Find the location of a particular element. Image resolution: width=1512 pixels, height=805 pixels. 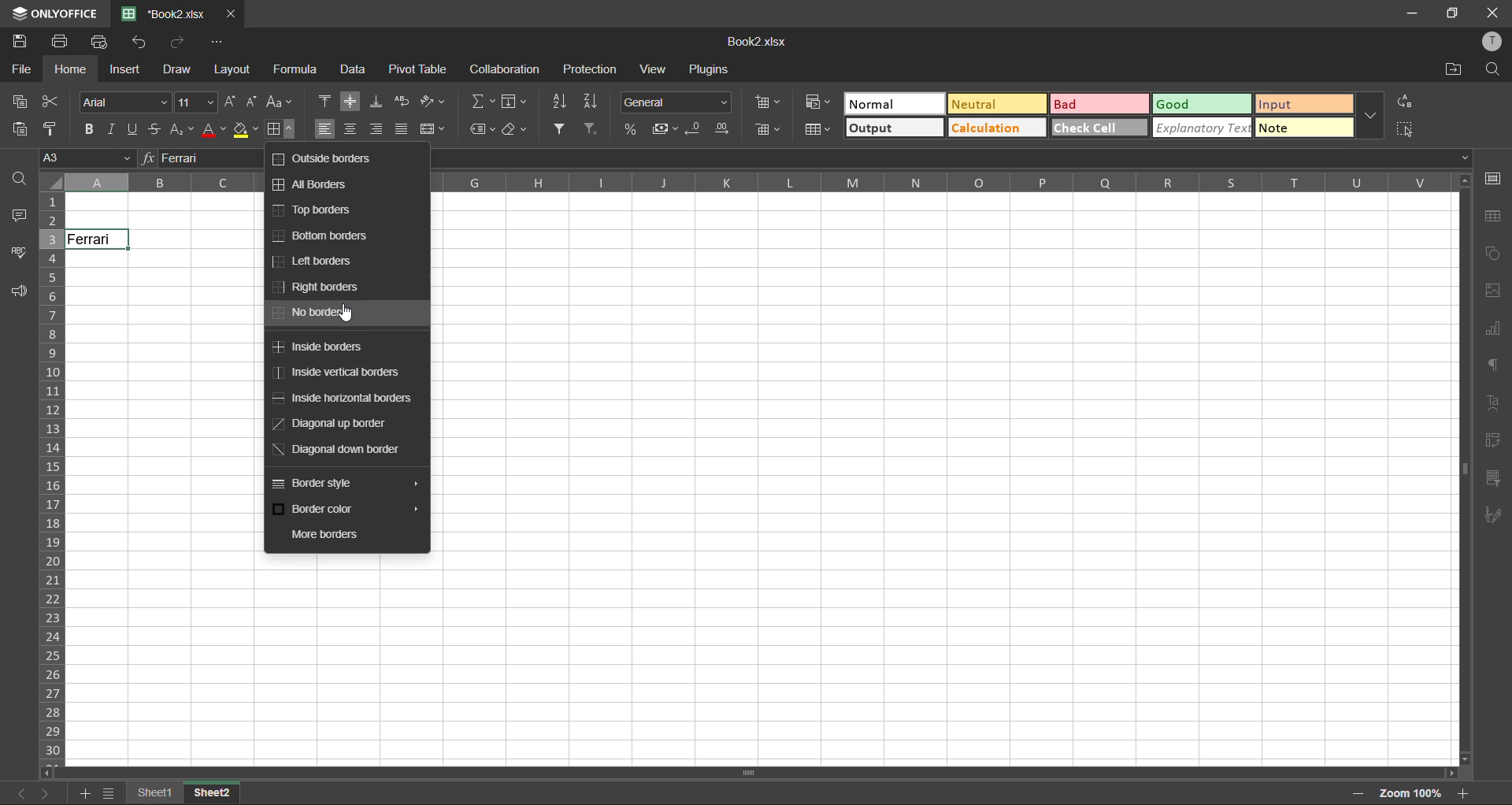

Ferrari is located at coordinates (98, 239).